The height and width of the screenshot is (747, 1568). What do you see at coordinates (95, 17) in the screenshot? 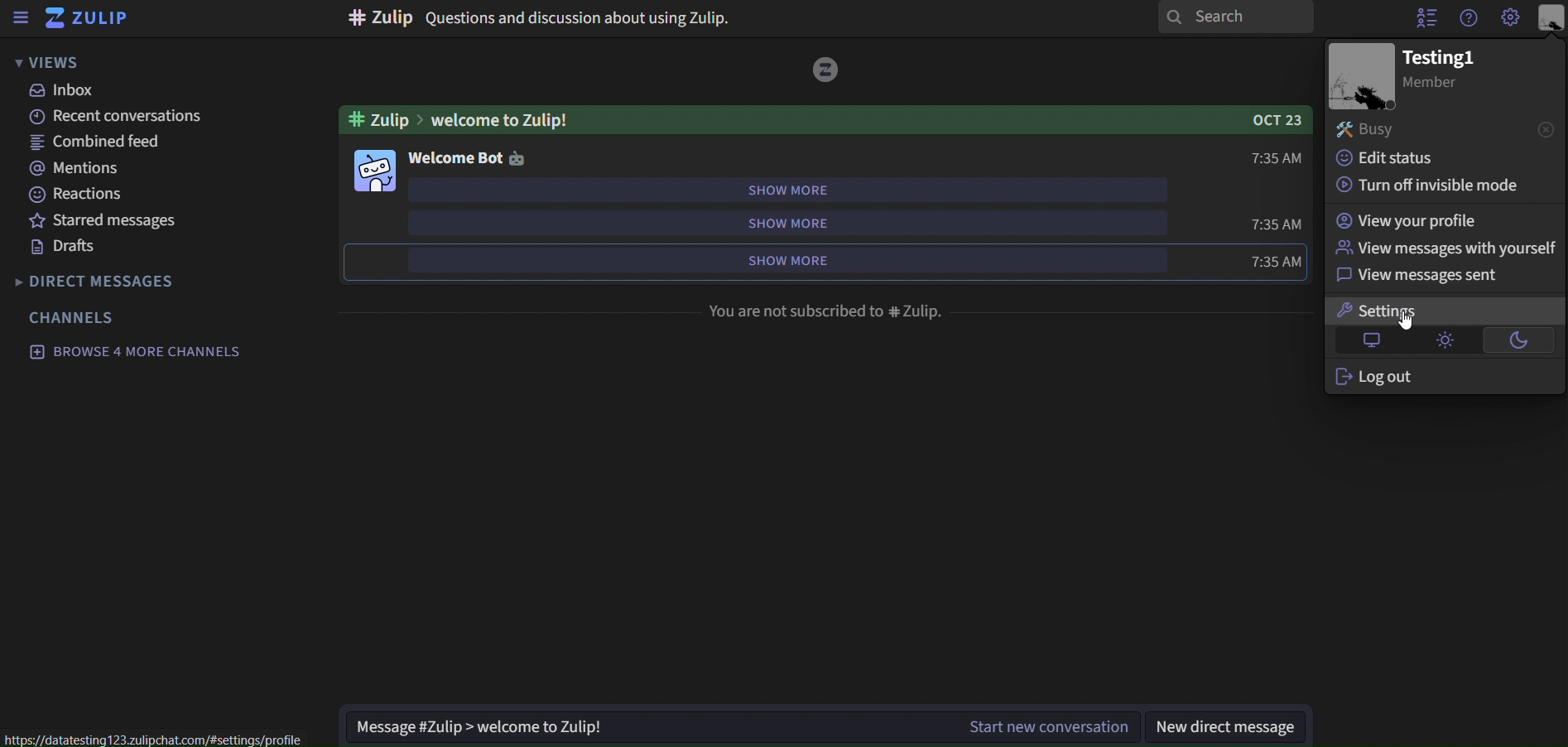
I see `zulip` at bounding box center [95, 17].